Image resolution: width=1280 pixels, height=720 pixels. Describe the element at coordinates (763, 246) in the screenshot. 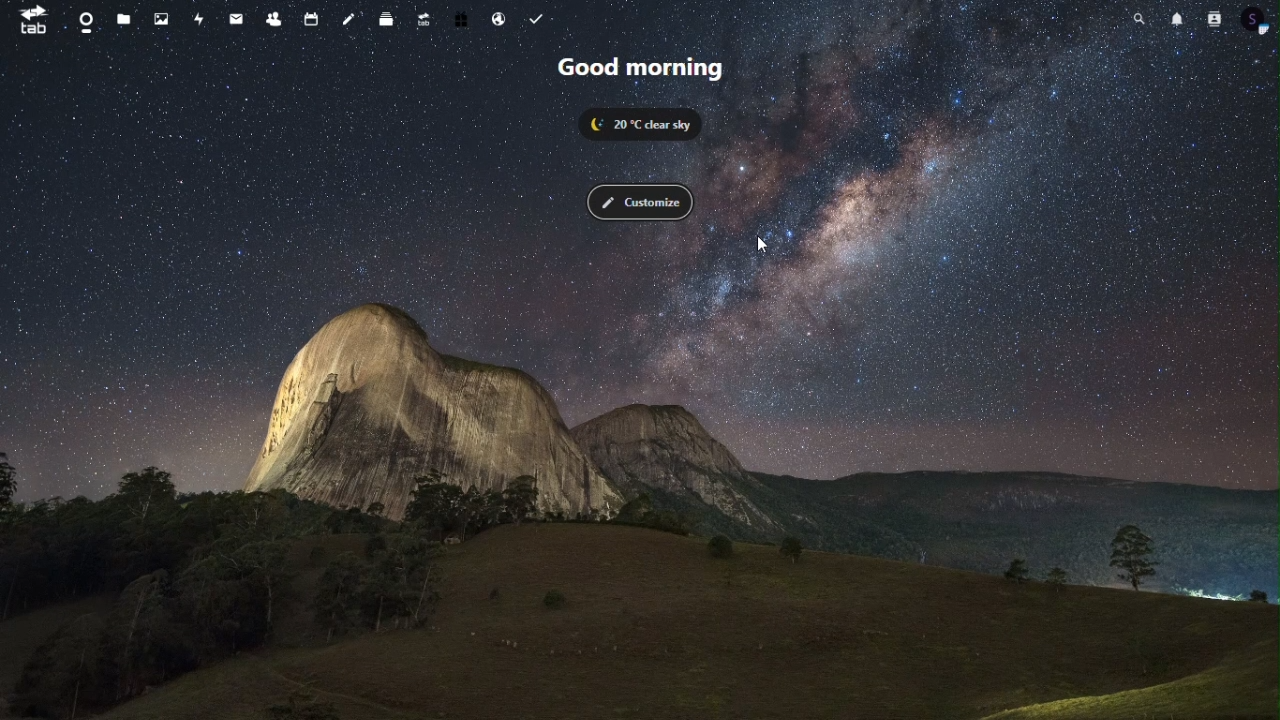

I see `Cursor` at that location.